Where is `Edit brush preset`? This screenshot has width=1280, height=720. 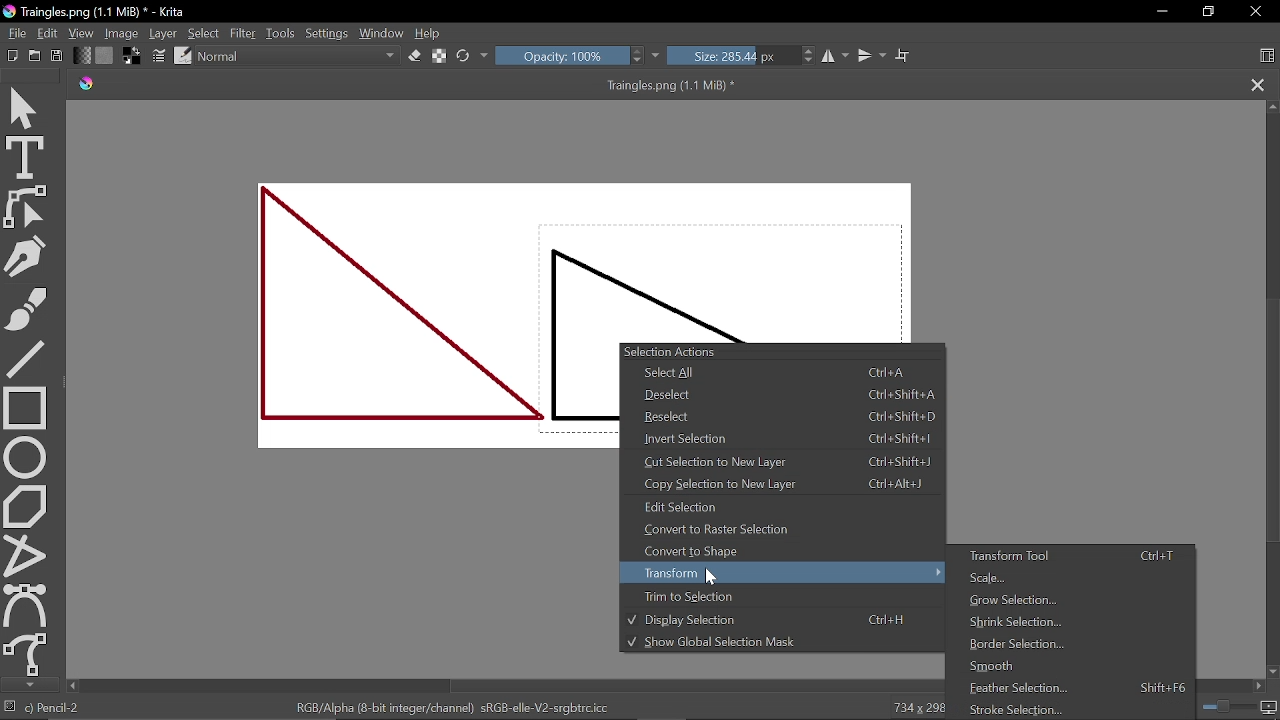
Edit brush preset is located at coordinates (184, 57).